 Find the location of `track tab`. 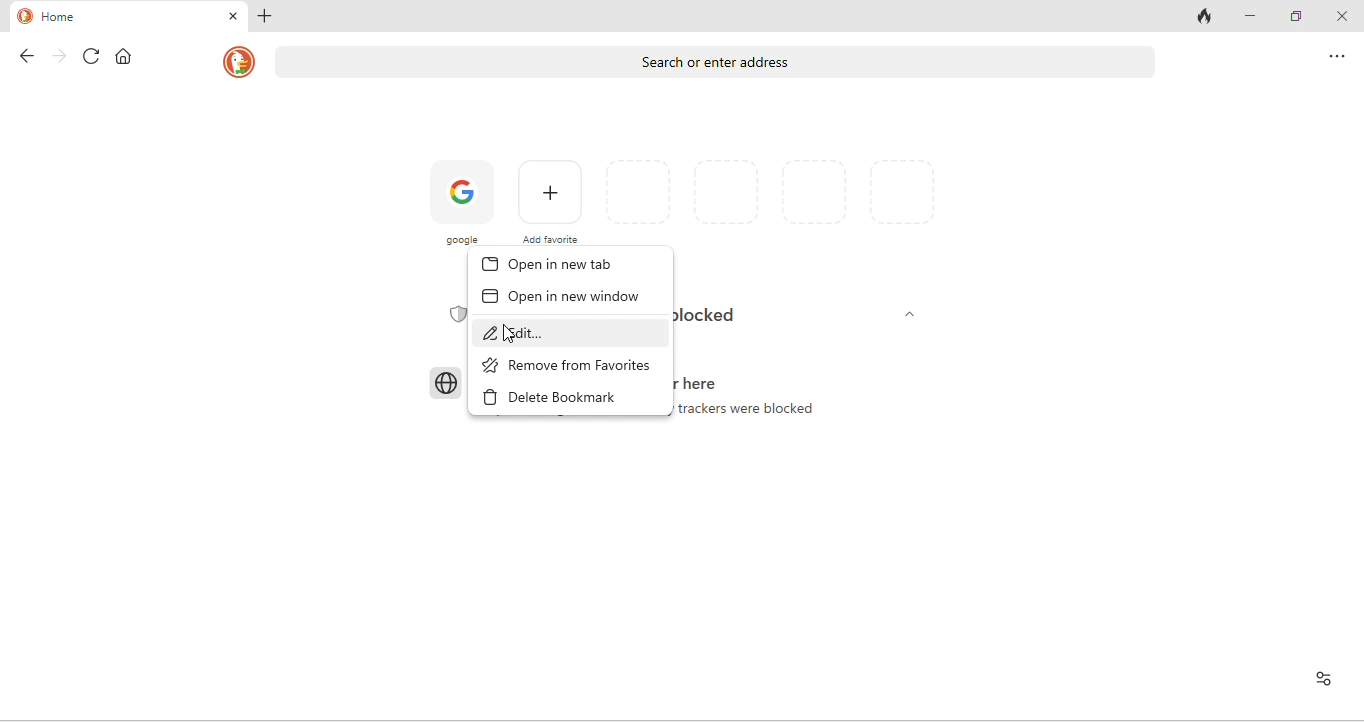

track tab is located at coordinates (1202, 18).